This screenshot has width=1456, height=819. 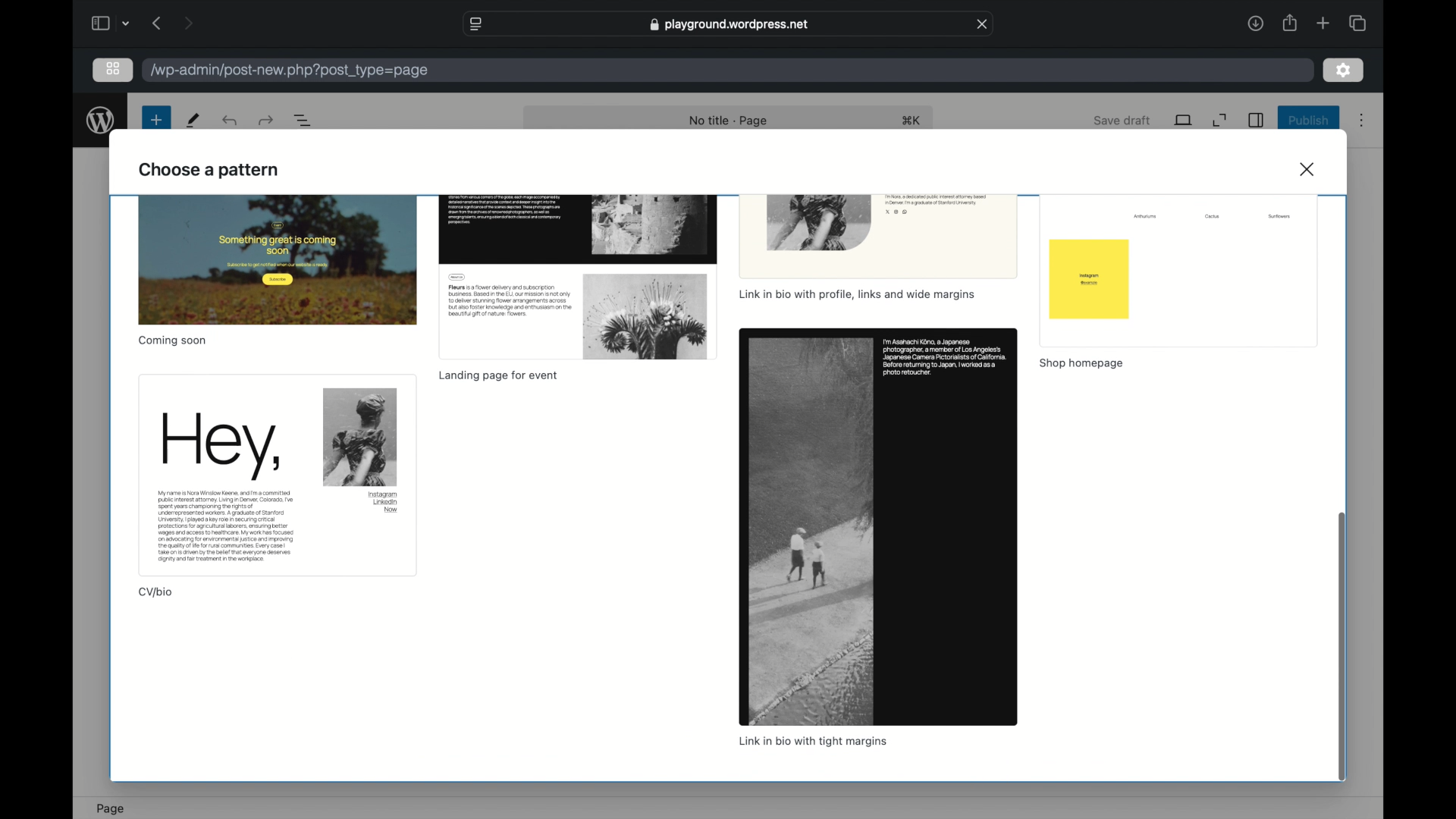 I want to click on preview, so click(x=878, y=237).